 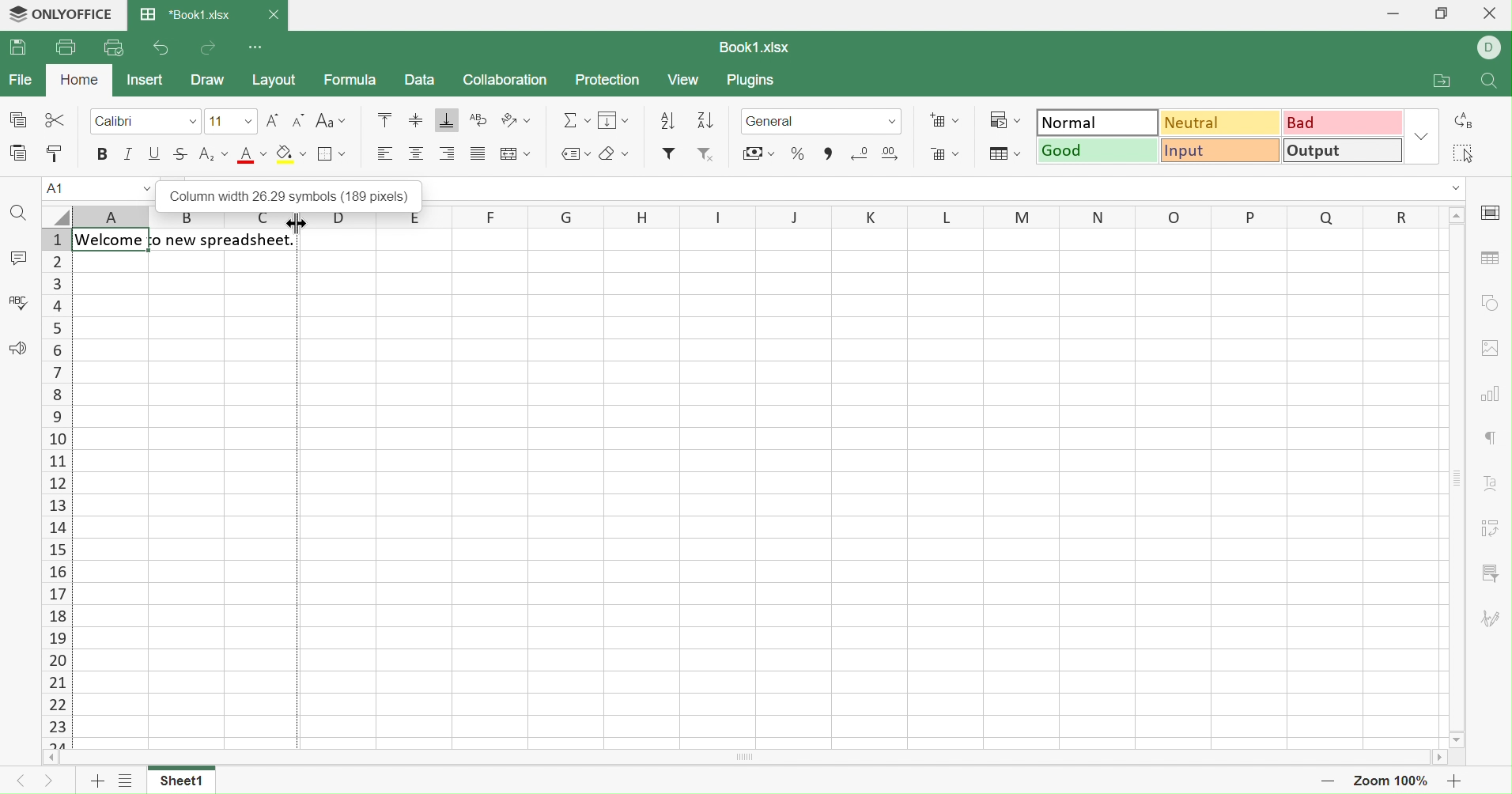 What do you see at coordinates (758, 152) in the screenshot?
I see `Accounting style` at bounding box center [758, 152].